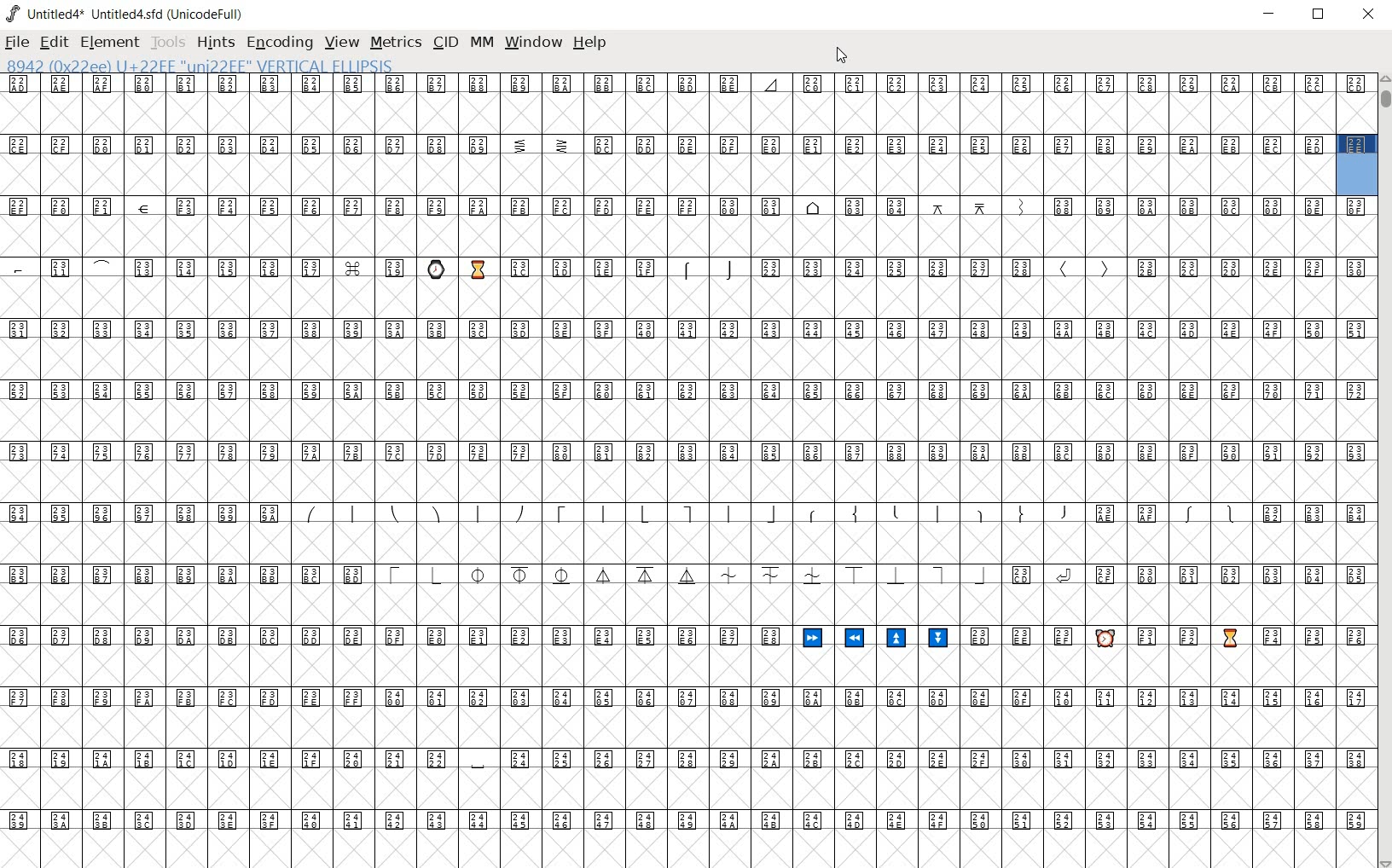  I want to click on SCROLLBAR, so click(1383, 471).